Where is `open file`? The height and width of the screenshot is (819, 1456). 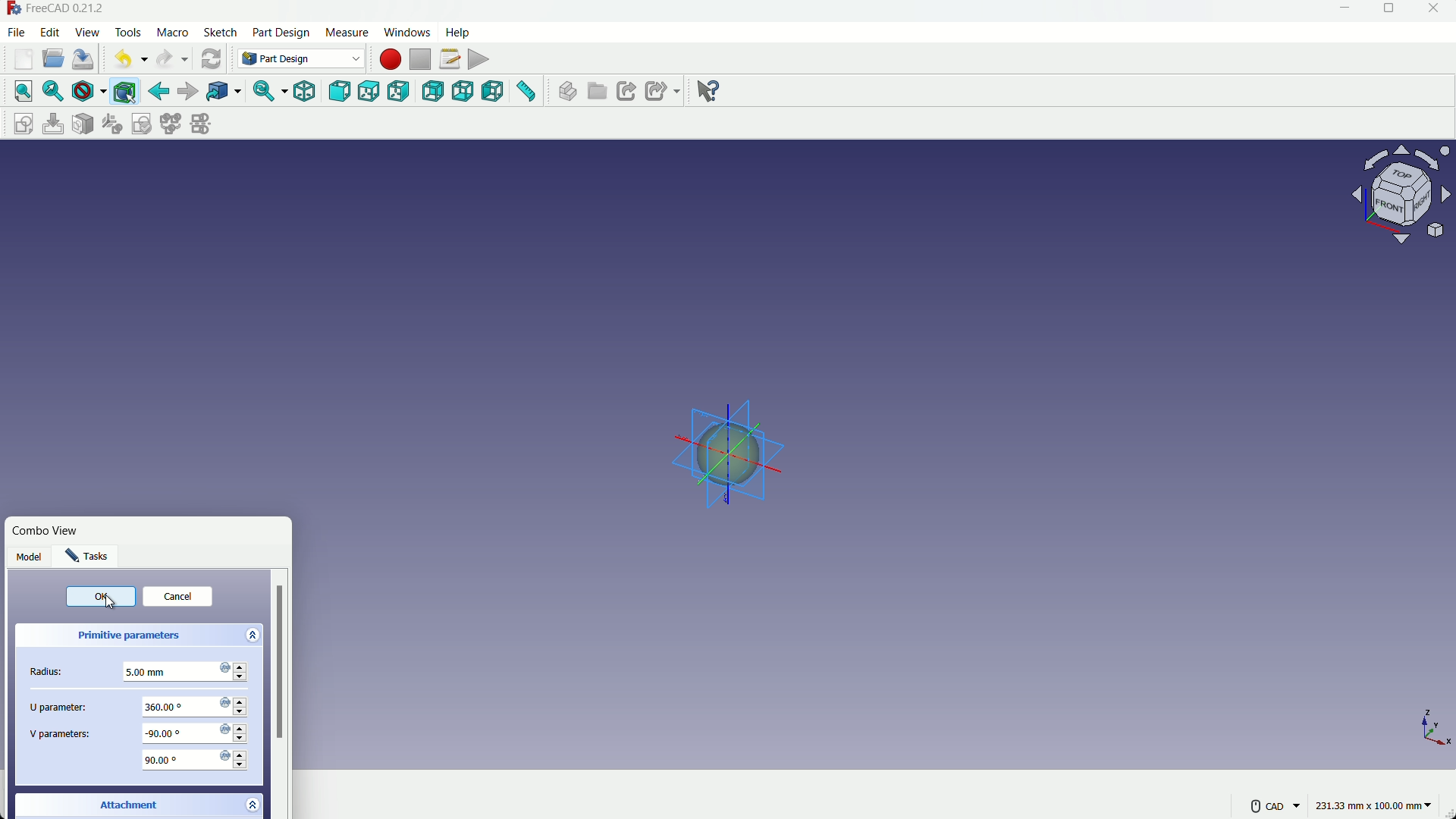 open file is located at coordinates (54, 58).